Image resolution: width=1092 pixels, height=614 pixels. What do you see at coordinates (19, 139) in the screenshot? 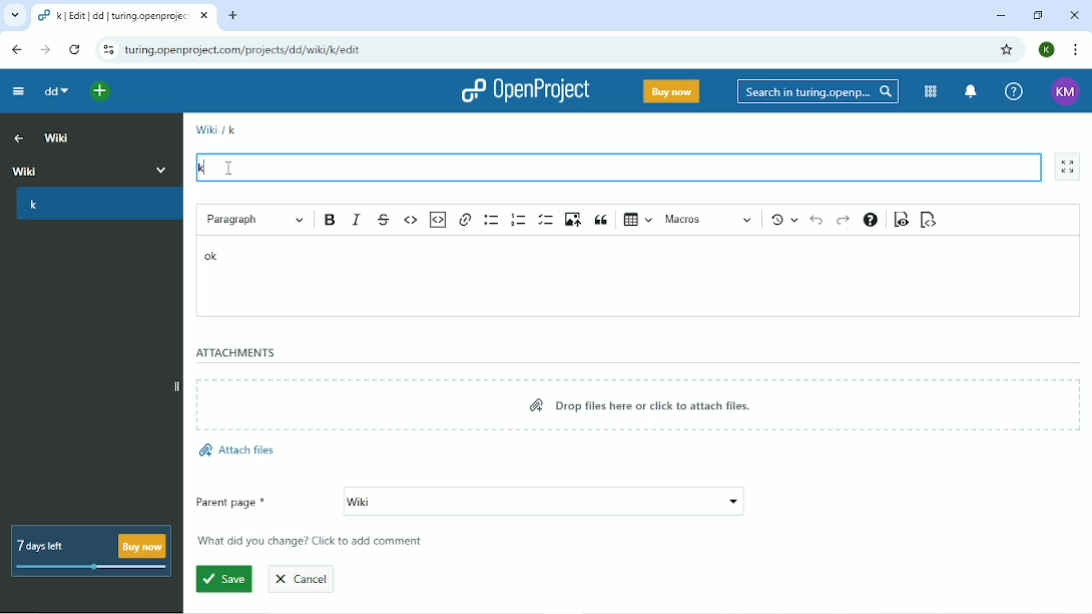
I see `Up` at bounding box center [19, 139].